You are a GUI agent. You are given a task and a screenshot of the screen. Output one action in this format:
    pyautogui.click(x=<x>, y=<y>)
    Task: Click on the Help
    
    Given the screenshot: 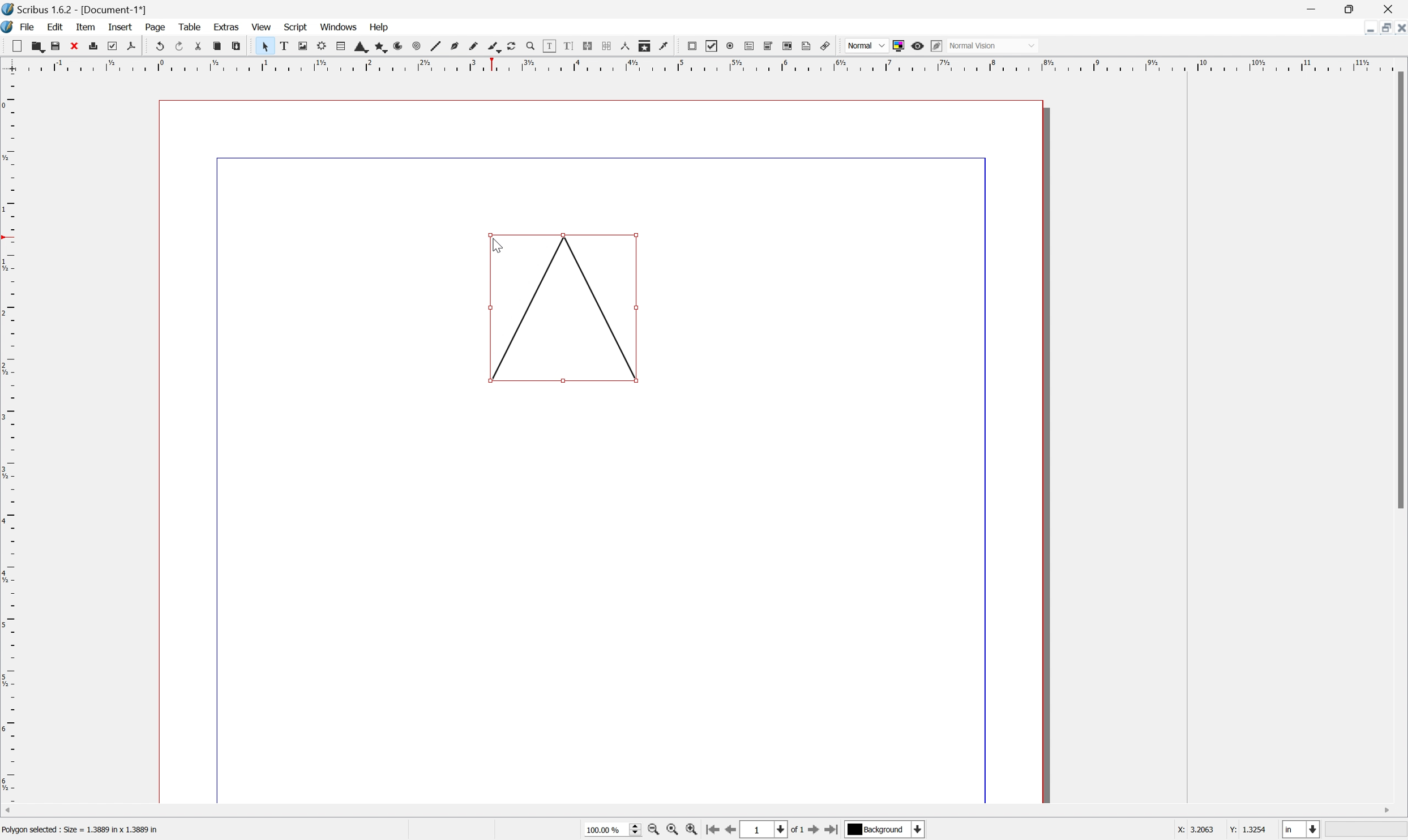 What is the action you would take?
    pyautogui.click(x=379, y=28)
    